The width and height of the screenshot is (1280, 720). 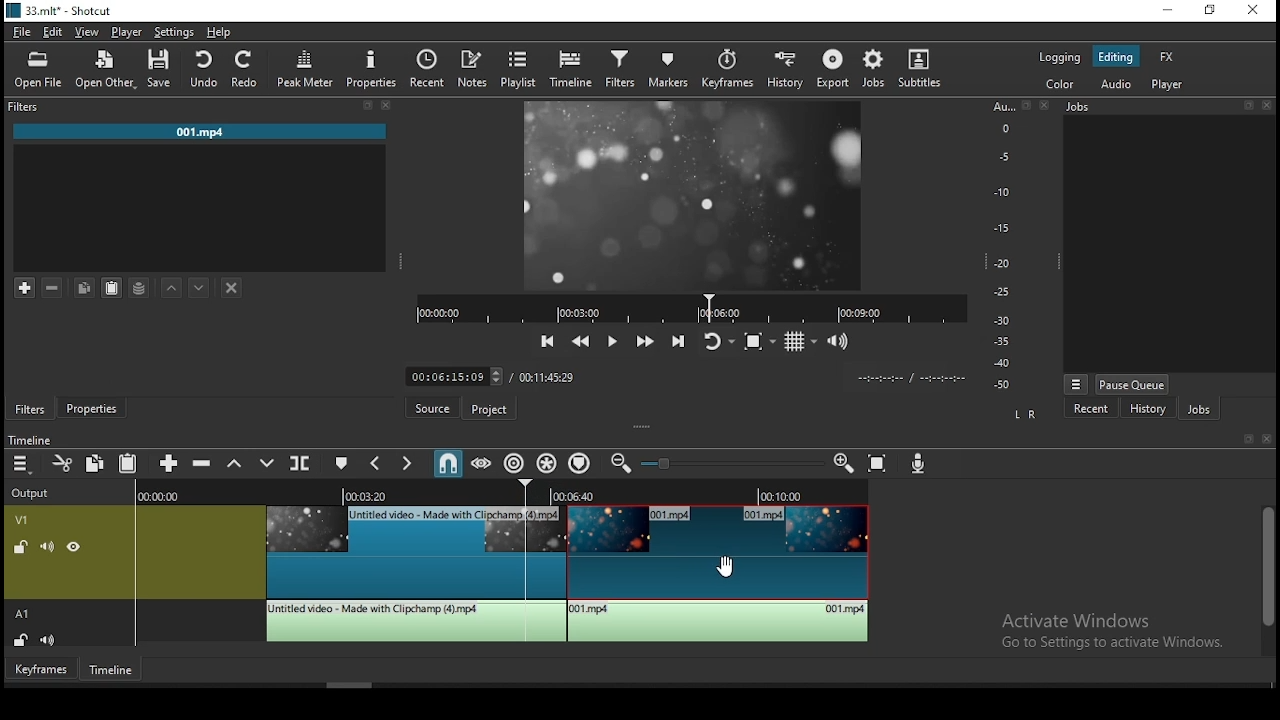 I want to click on pause queue, so click(x=1133, y=385).